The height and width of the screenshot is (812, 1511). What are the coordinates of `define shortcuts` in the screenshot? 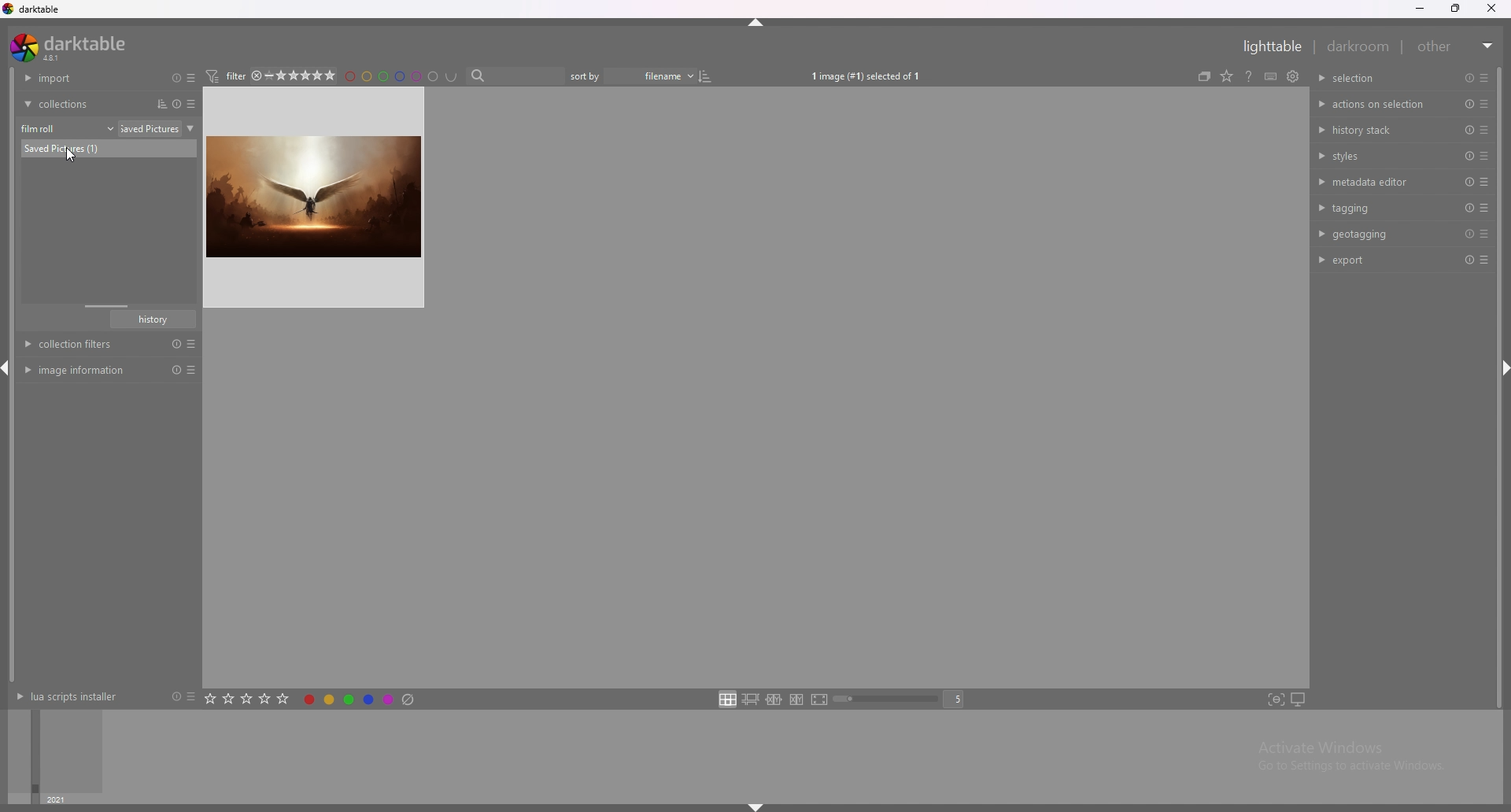 It's located at (1289, 76).